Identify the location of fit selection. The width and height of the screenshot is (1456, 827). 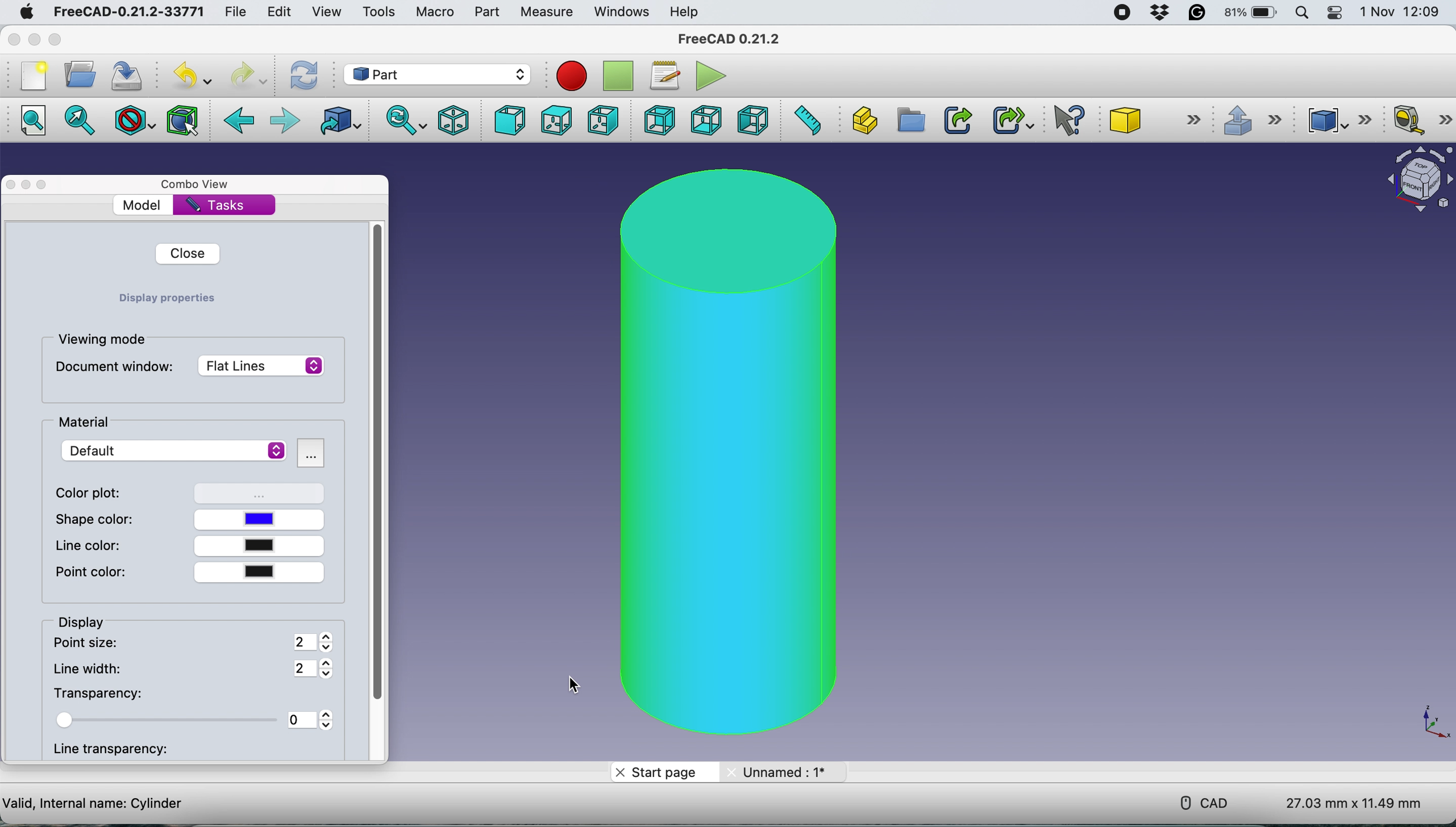
(80, 122).